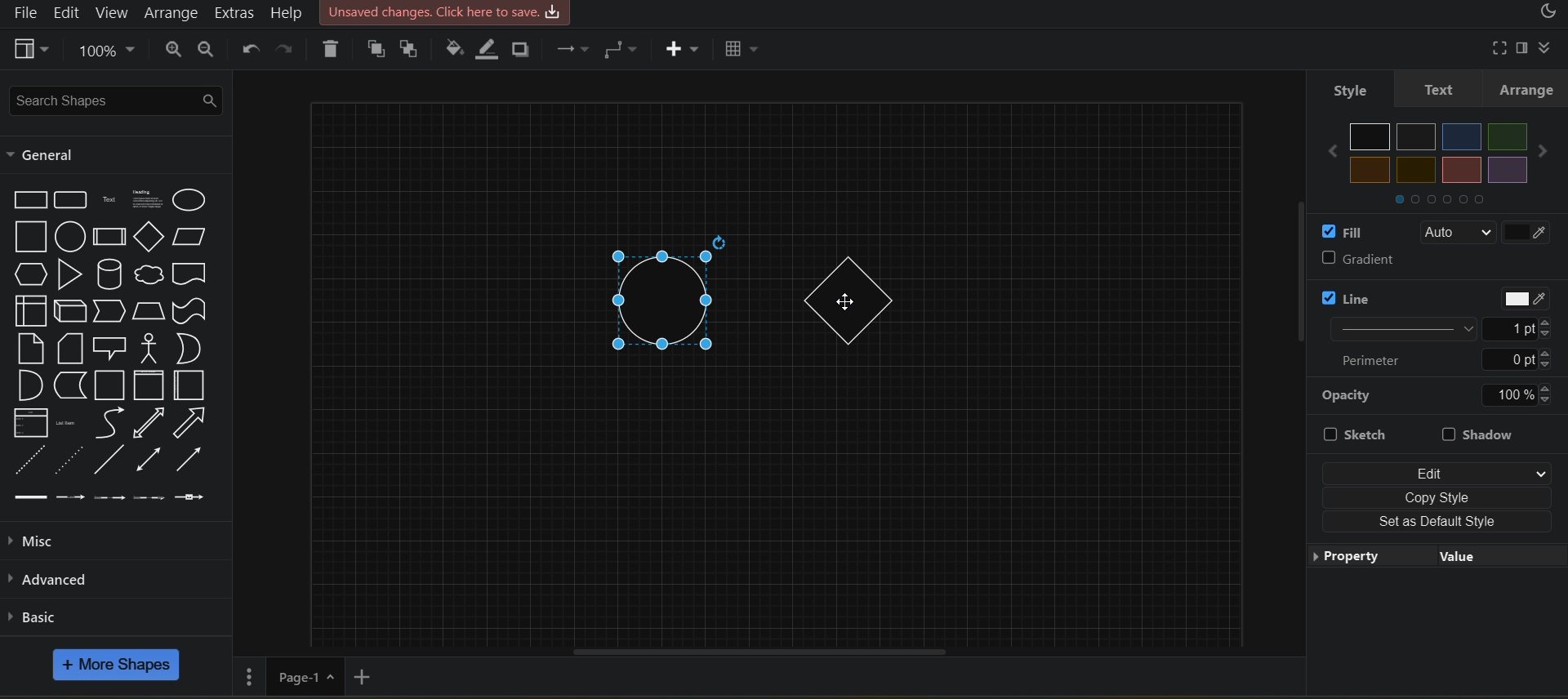 The width and height of the screenshot is (1568, 699). I want to click on undo, so click(250, 48).